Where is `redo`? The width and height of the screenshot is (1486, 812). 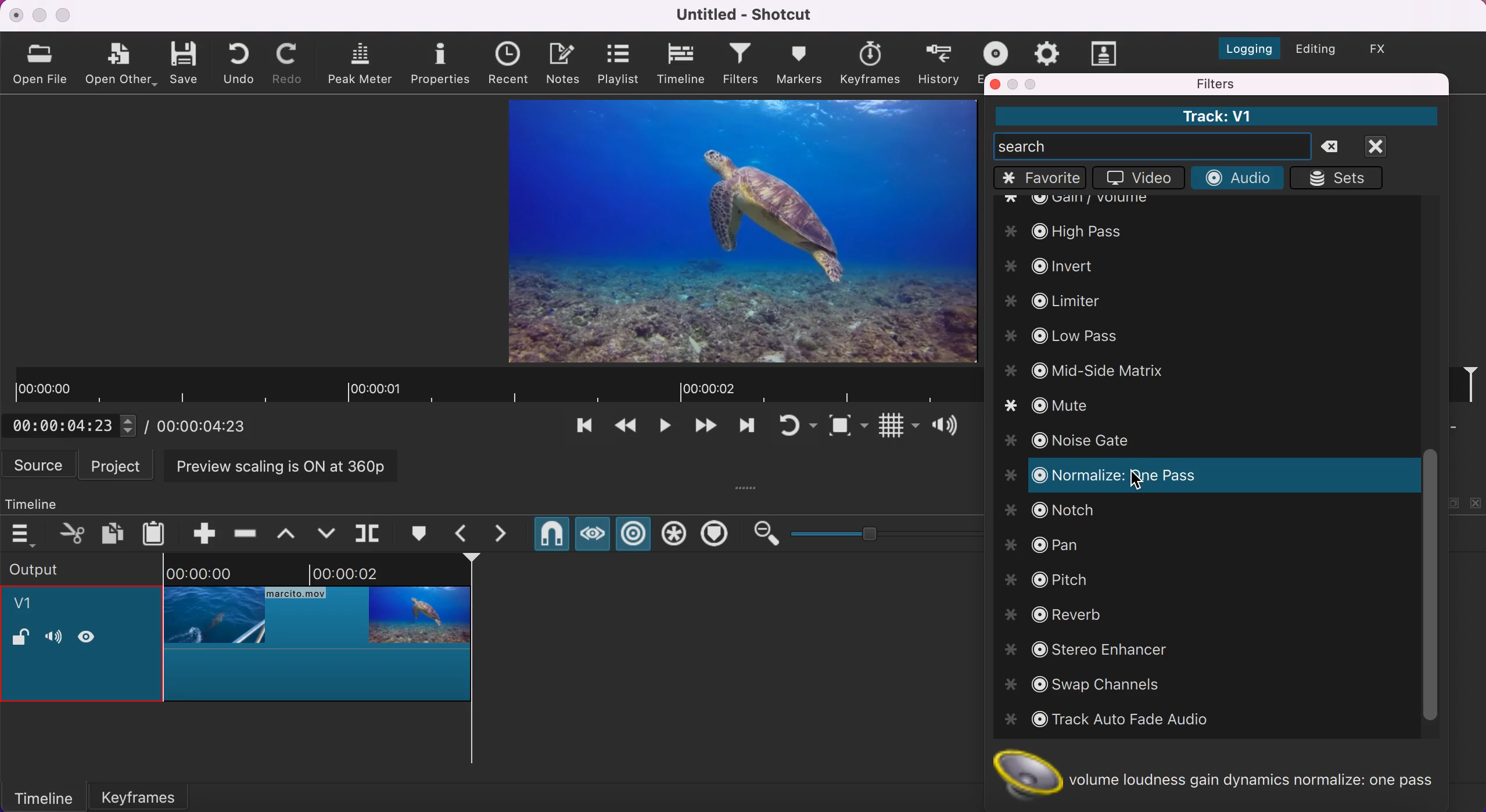 redo is located at coordinates (290, 63).